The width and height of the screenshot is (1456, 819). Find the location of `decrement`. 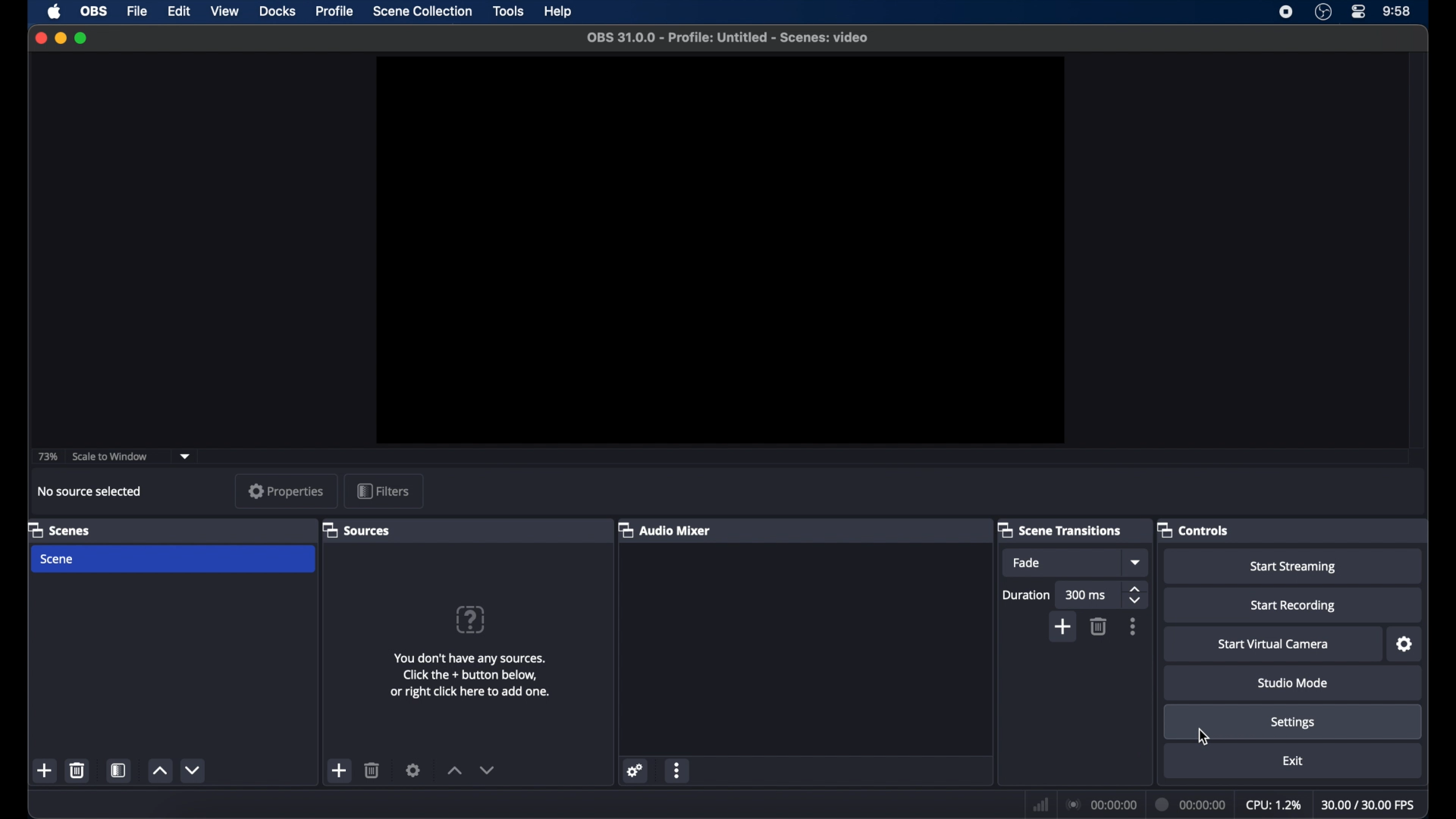

decrement is located at coordinates (487, 770).